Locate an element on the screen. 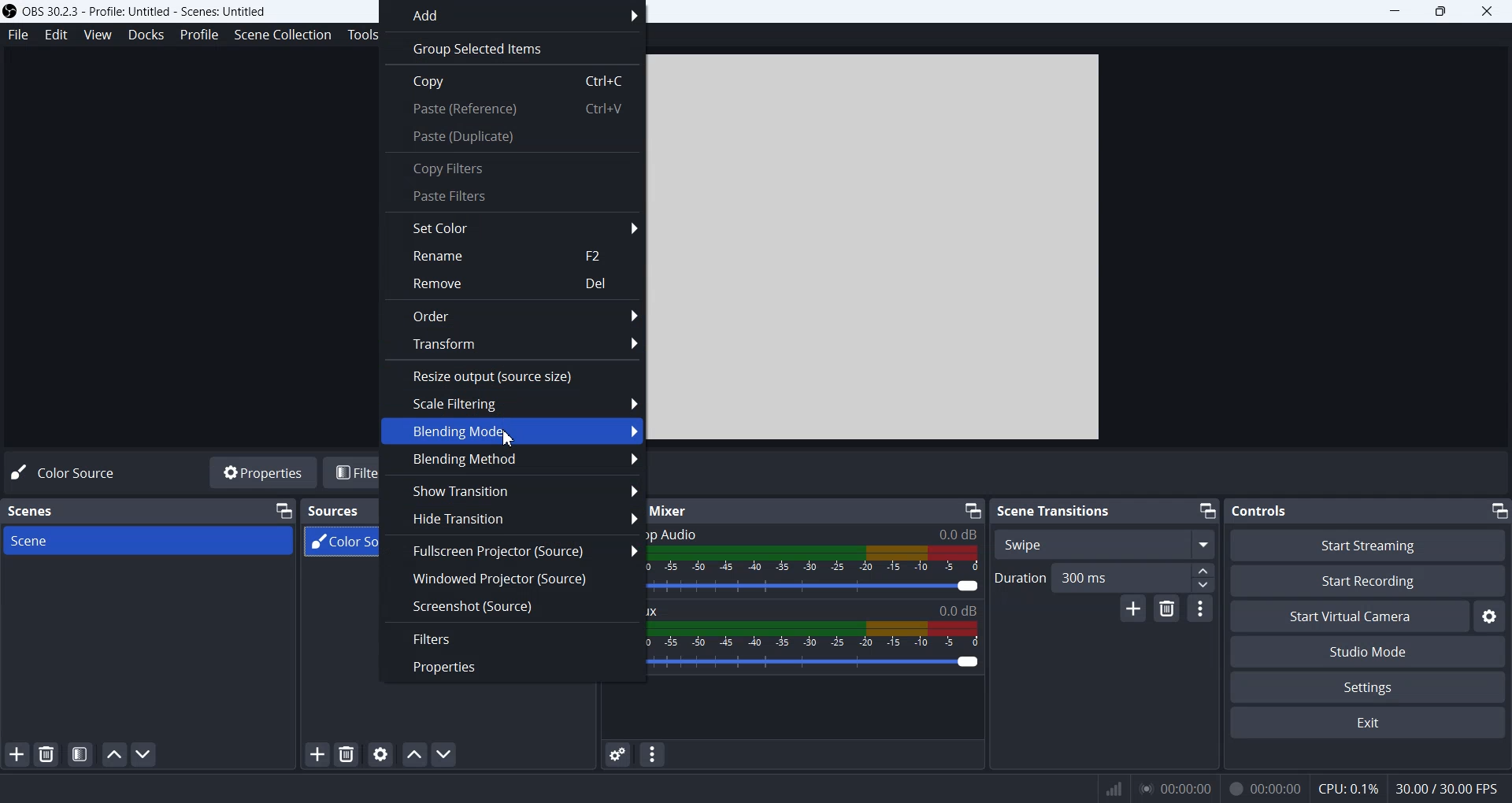 The width and height of the screenshot is (1512, 803). Add Scene is located at coordinates (17, 753).